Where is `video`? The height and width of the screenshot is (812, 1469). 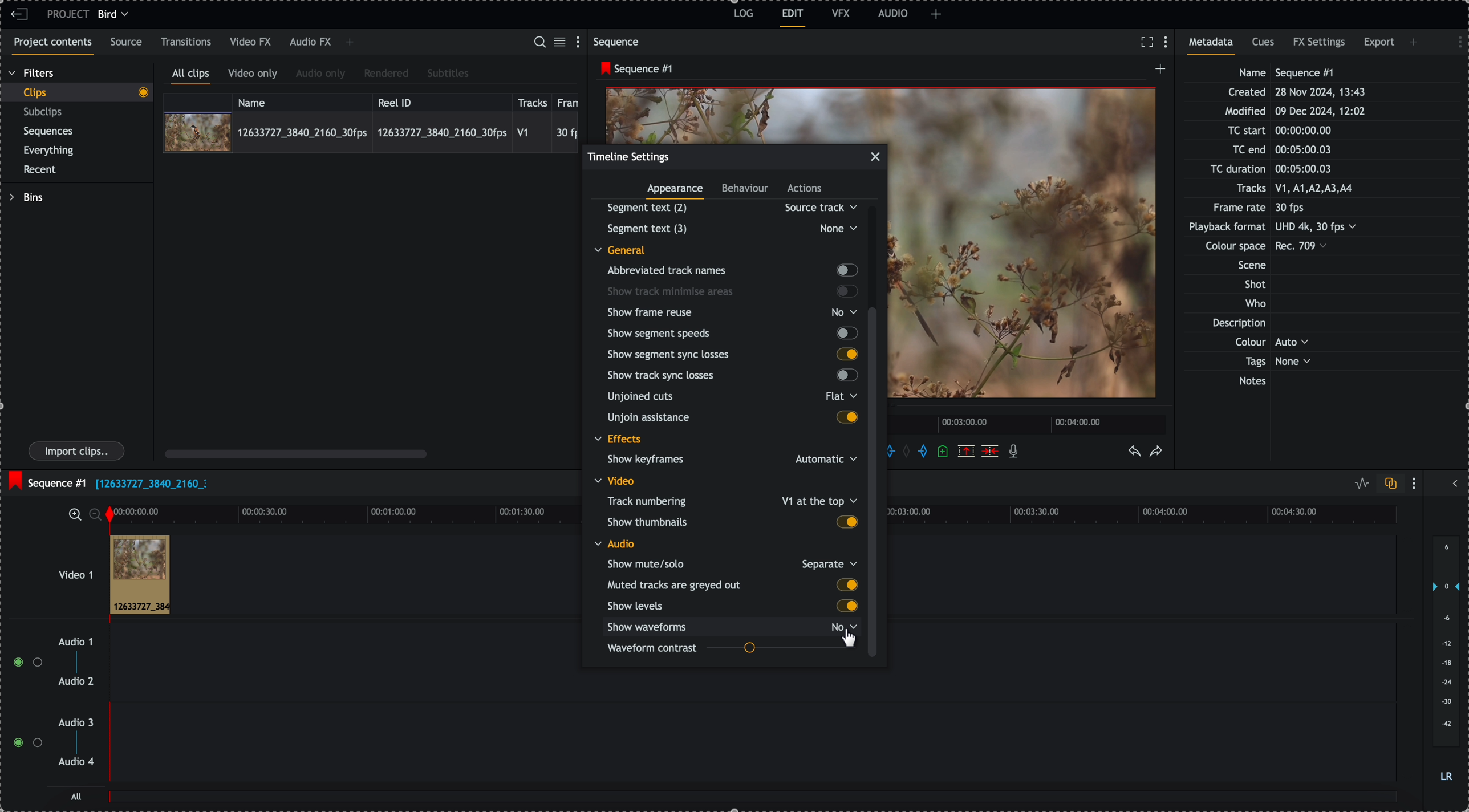
video is located at coordinates (618, 481).